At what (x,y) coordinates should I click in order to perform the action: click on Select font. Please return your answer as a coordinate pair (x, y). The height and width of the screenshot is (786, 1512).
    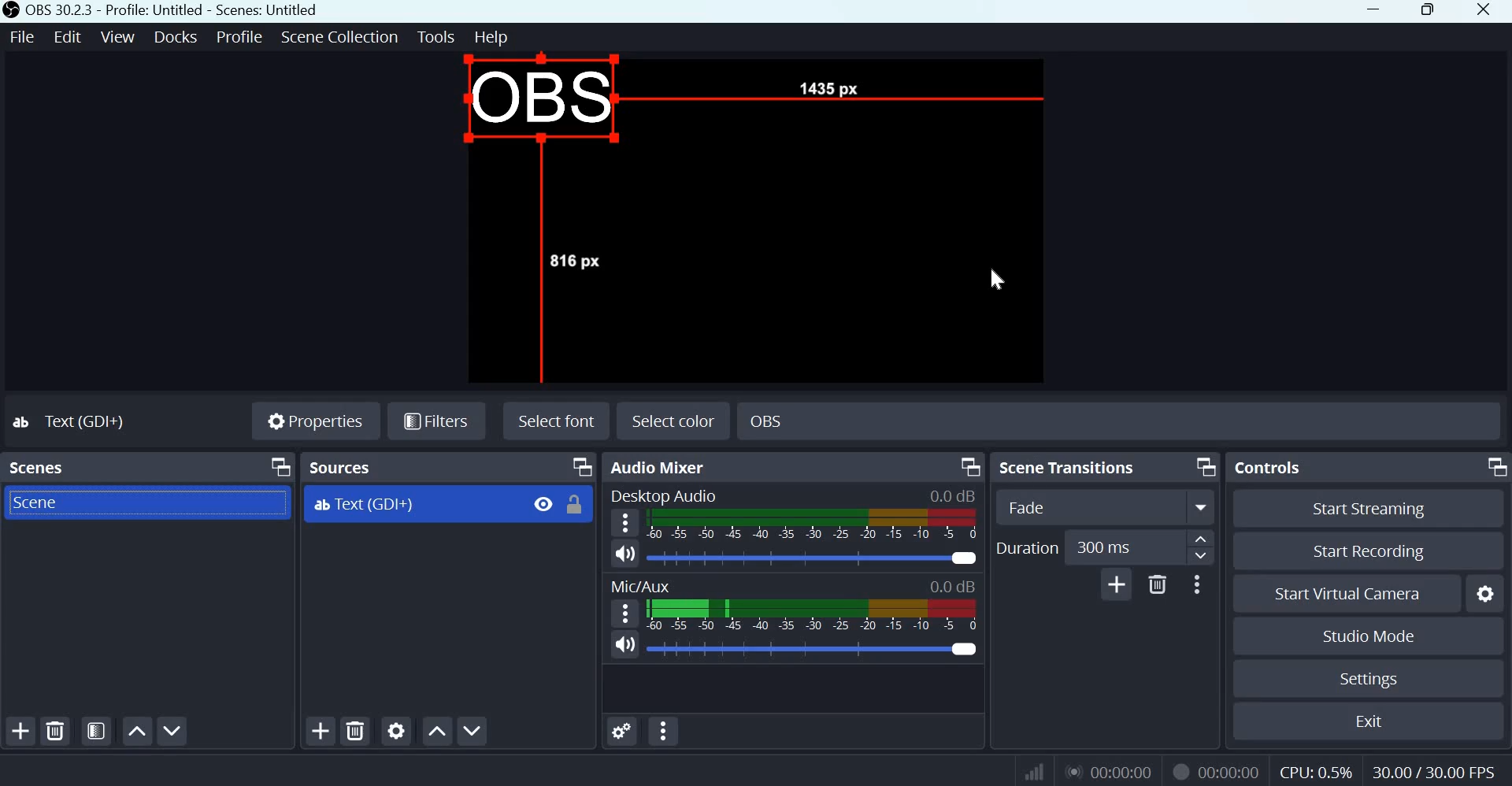
    Looking at the image, I should click on (554, 421).